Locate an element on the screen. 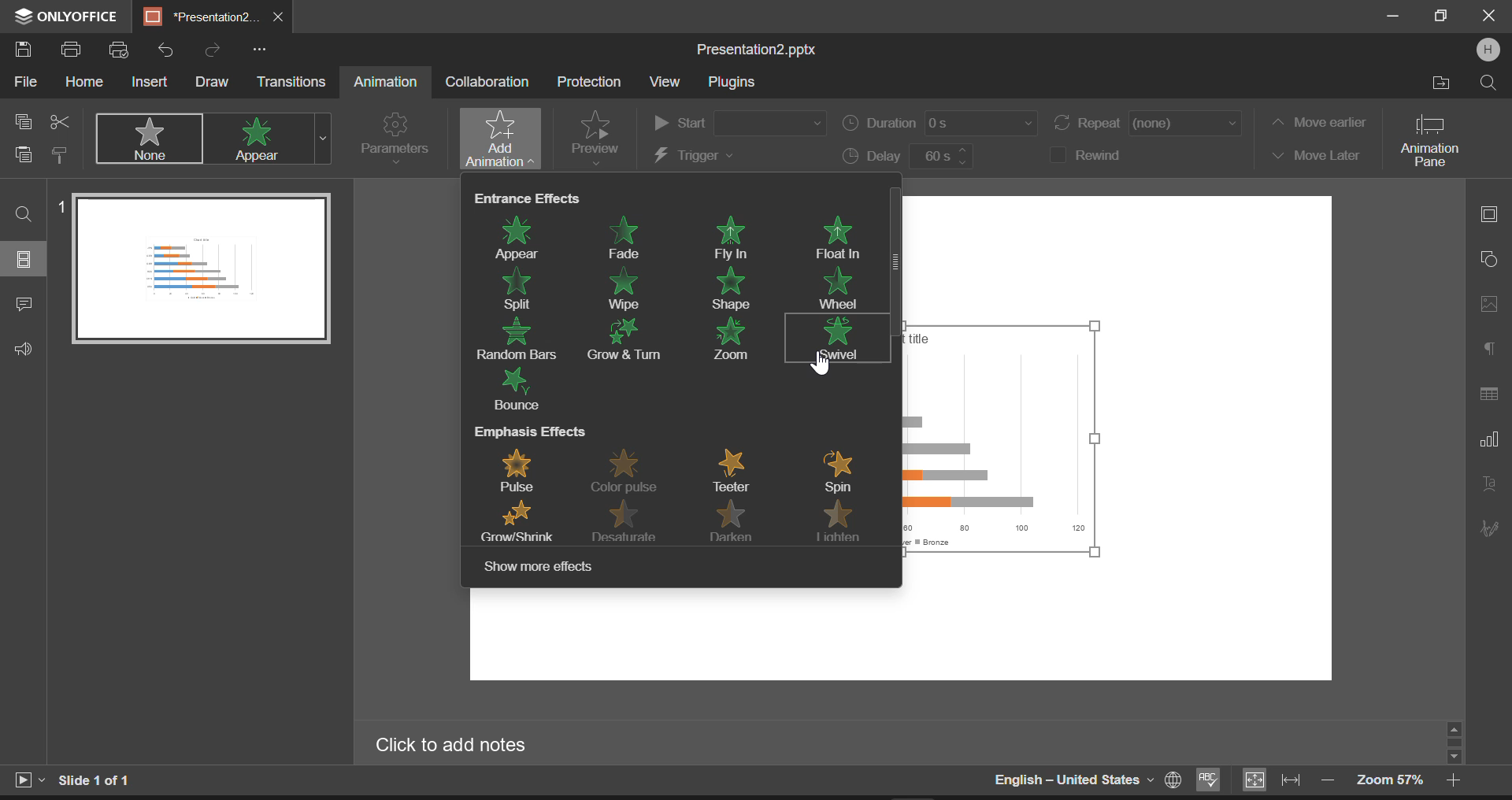 The height and width of the screenshot is (800, 1512). English-United States is located at coordinates (1086, 780).